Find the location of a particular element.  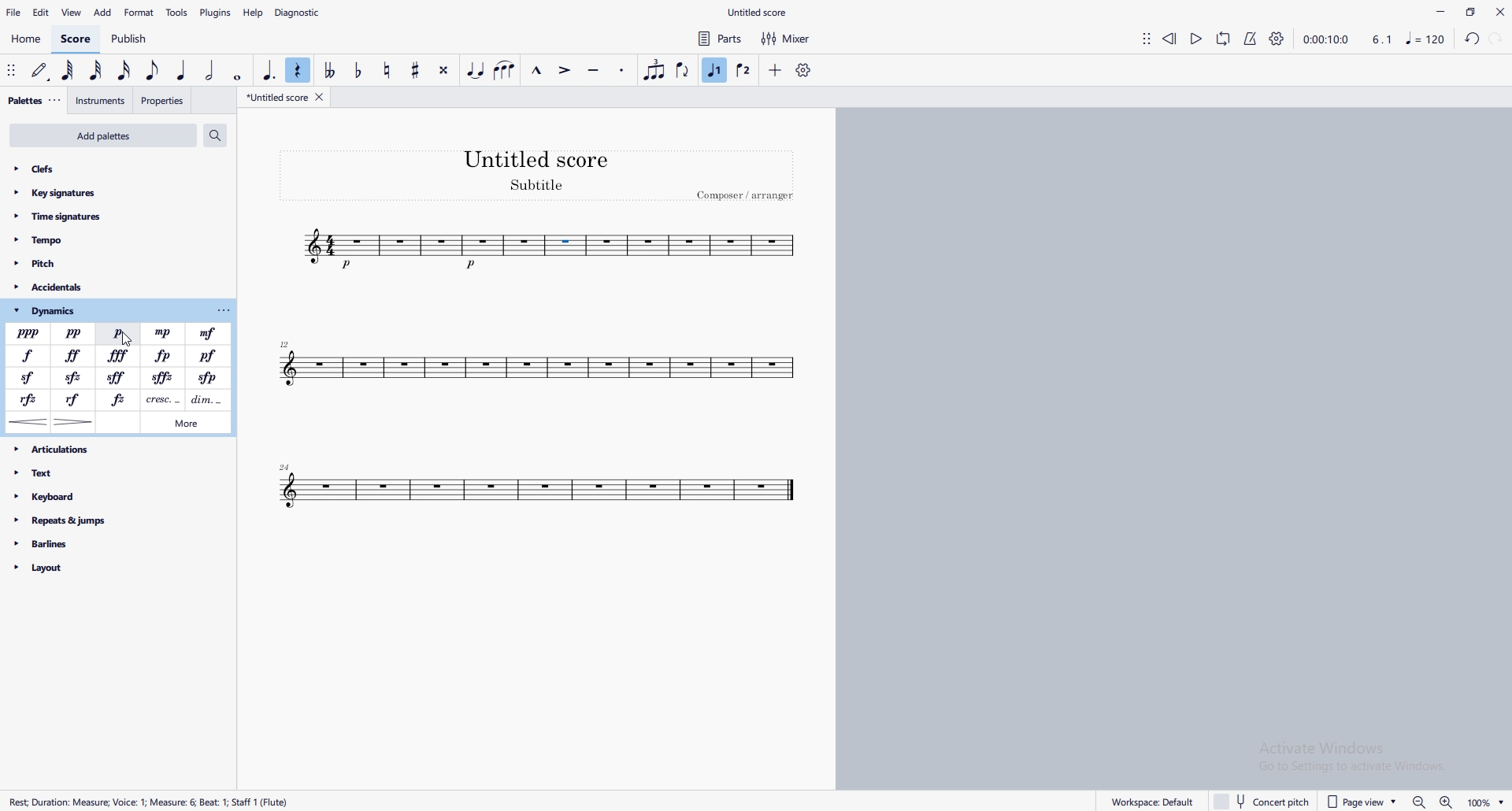

sforzando is located at coordinates (29, 379).